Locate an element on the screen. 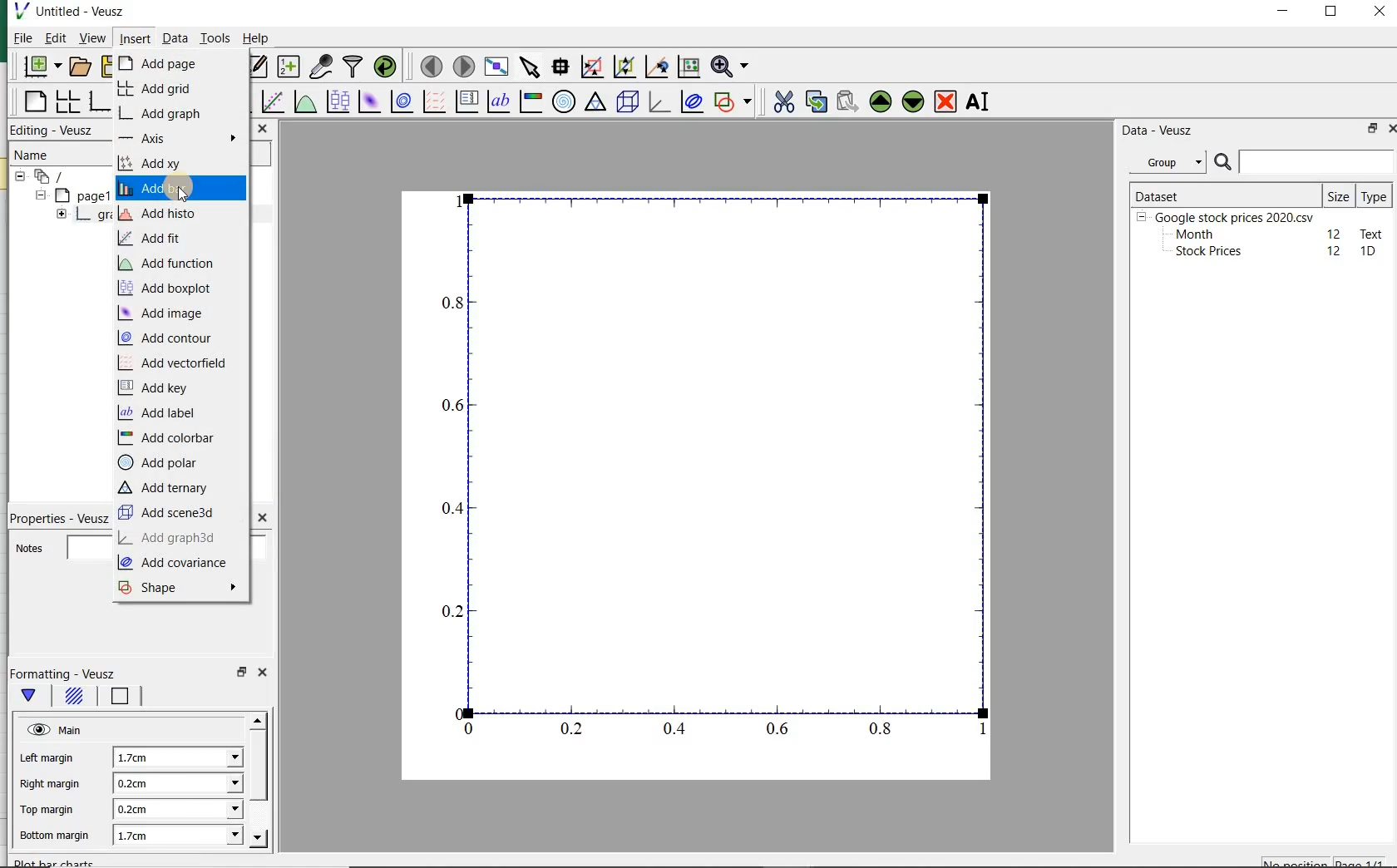 The width and height of the screenshot is (1397, 868). image color bar is located at coordinates (529, 101).